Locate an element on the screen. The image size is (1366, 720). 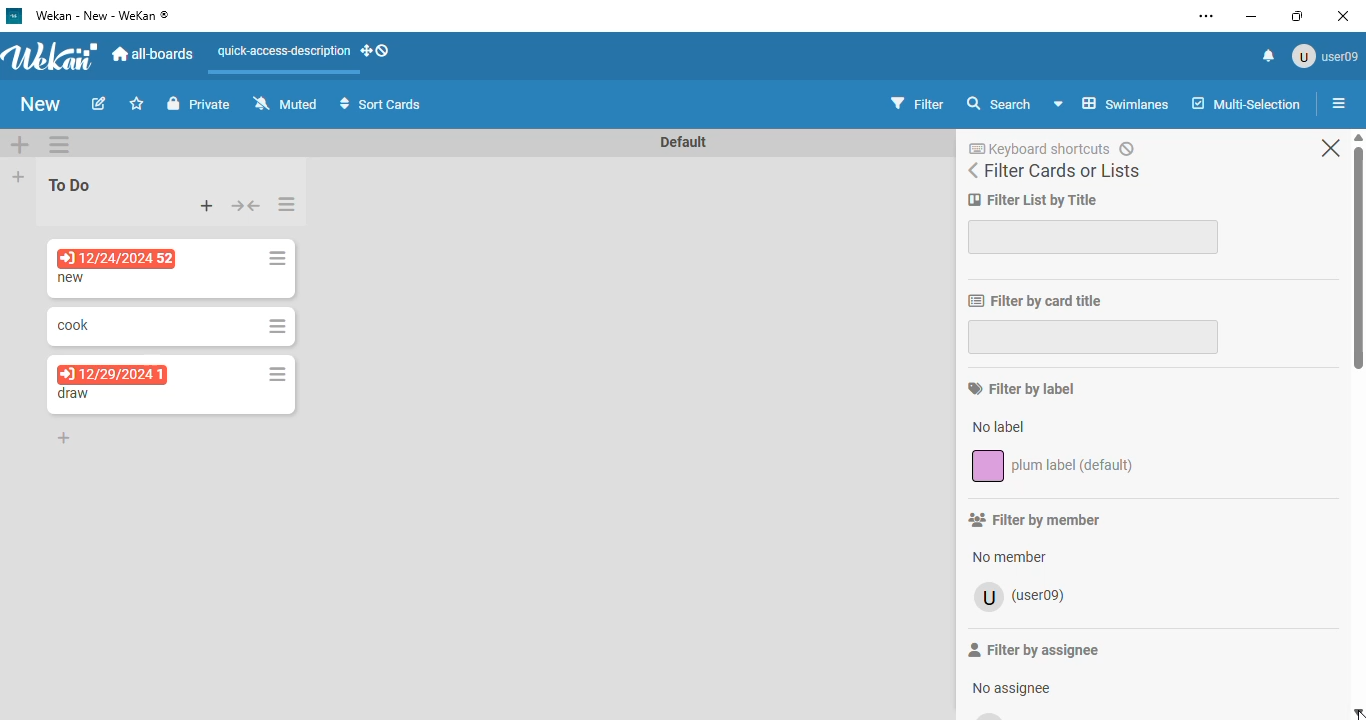
user09 is located at coordinates (1324, 56).